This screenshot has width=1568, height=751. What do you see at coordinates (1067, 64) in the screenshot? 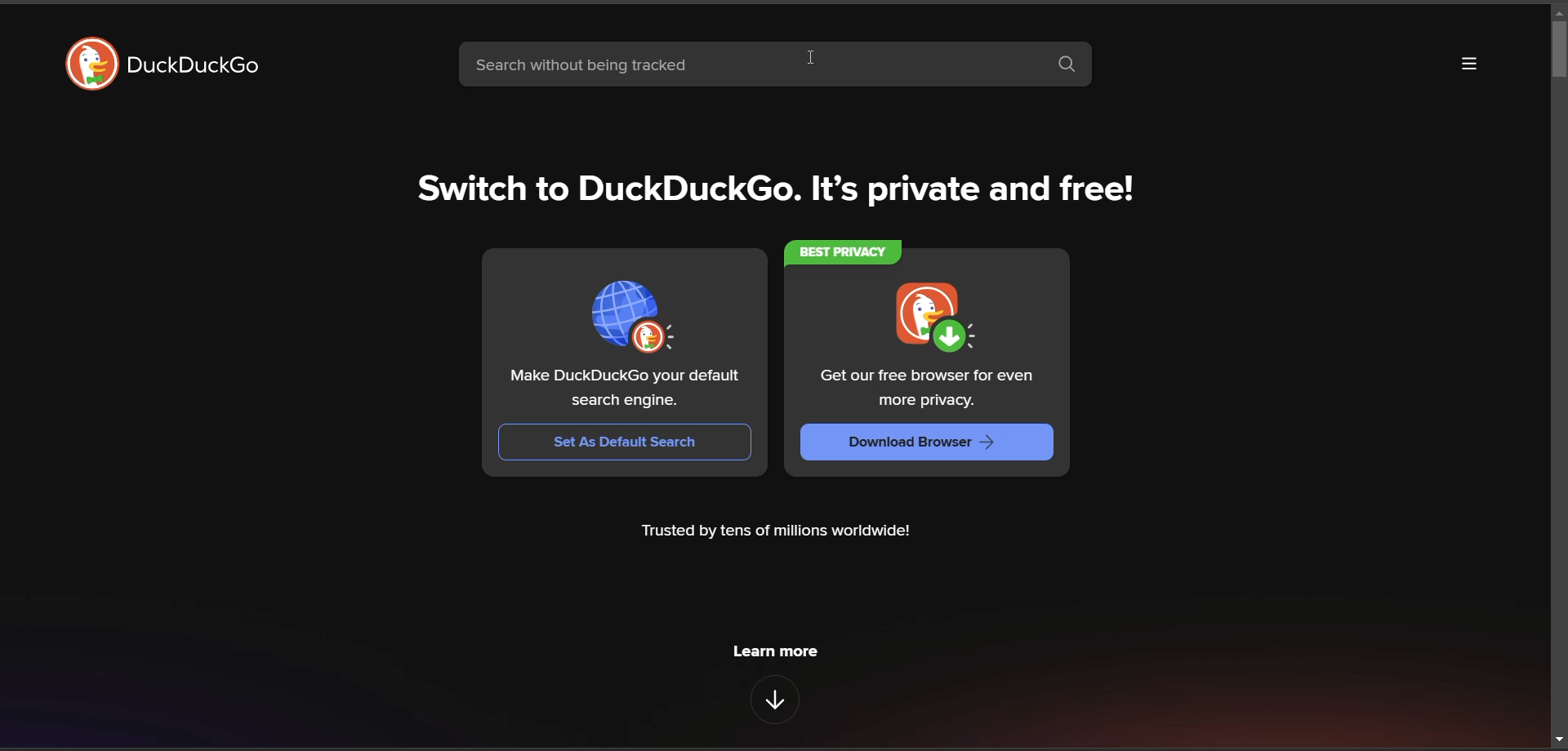
I see `search button` at bounding box center [1067, 64].